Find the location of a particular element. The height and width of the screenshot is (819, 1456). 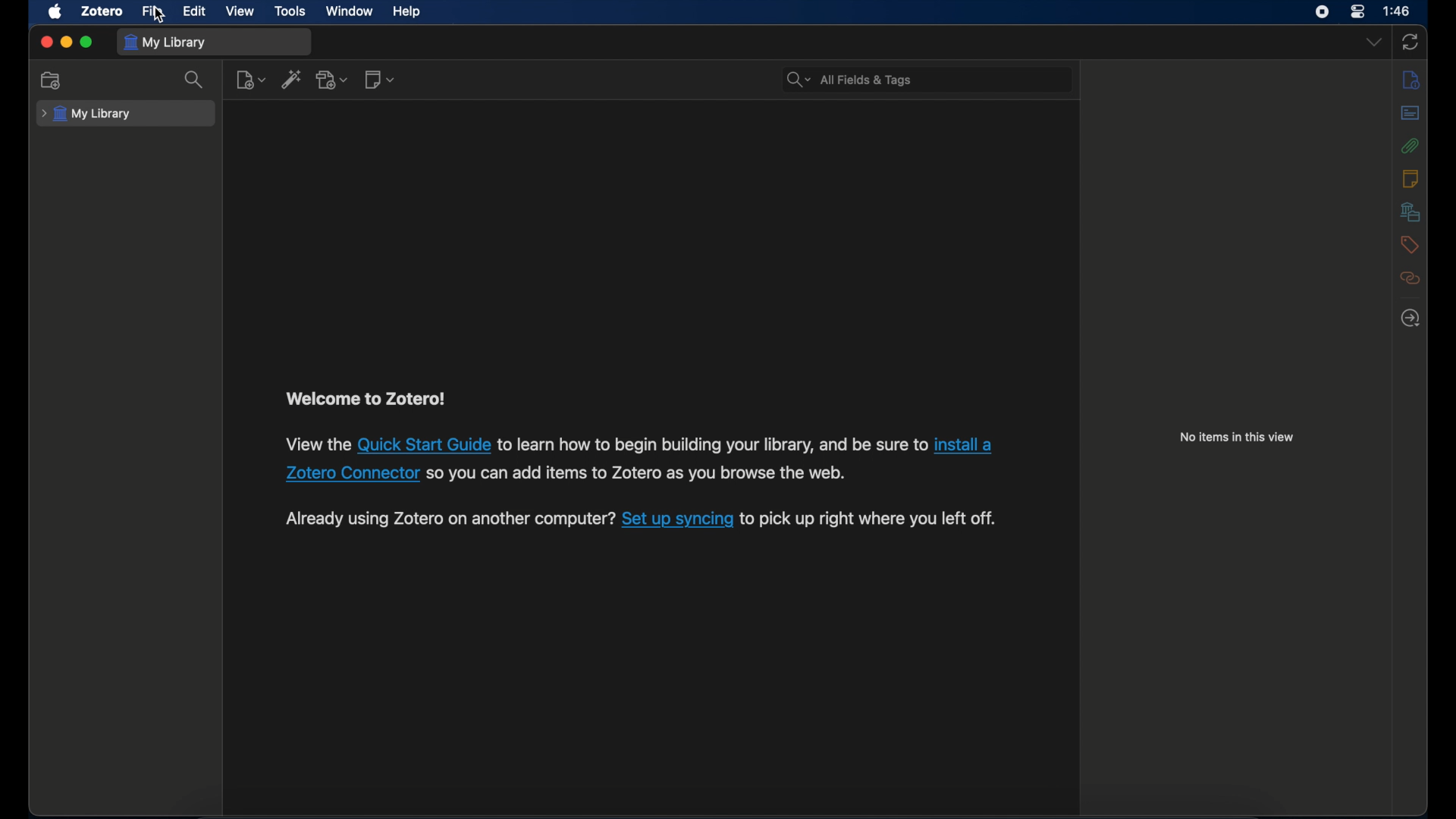

View the is located at coordinates (312, 444).